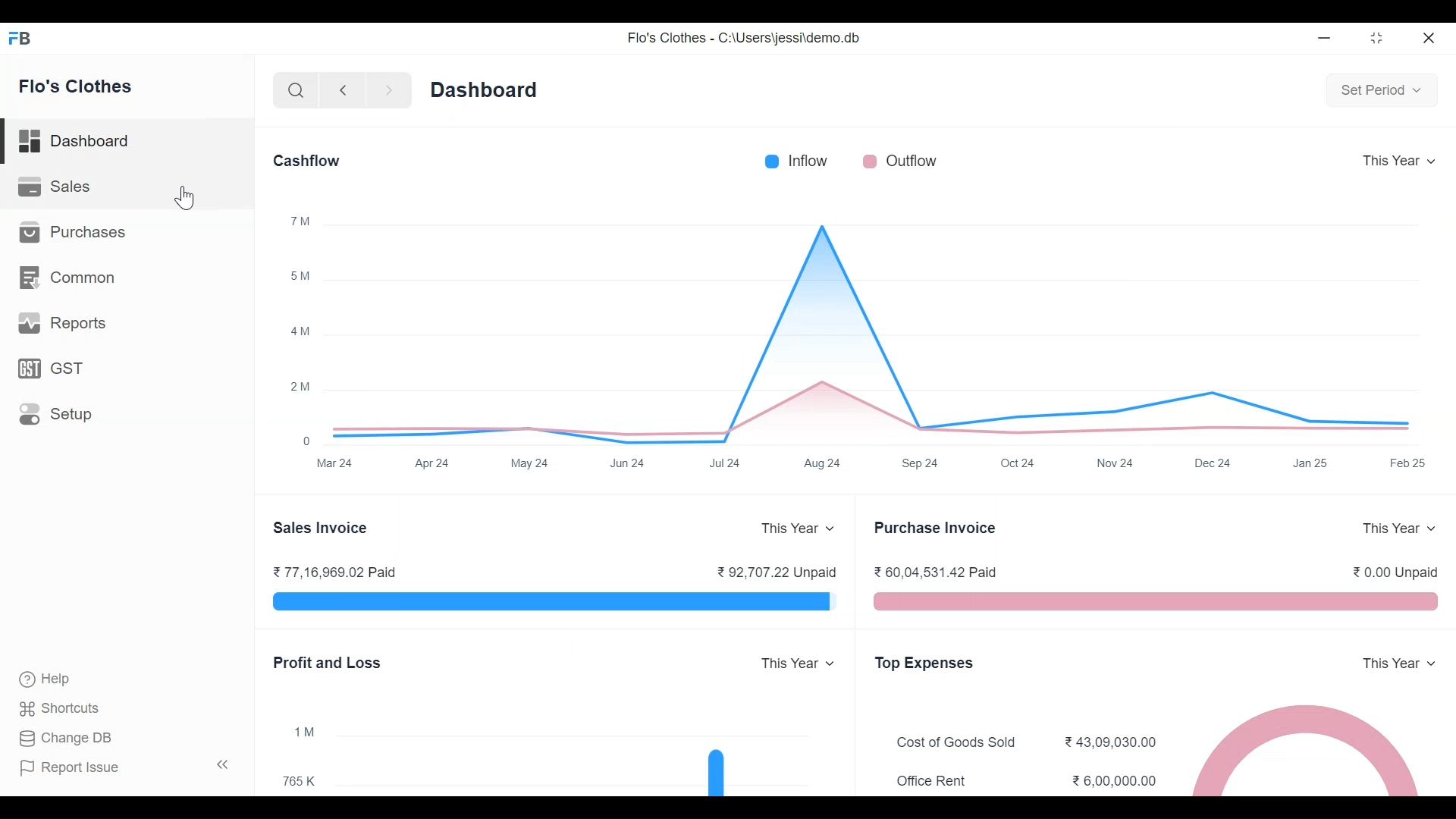 The width and height of the screenshot is (1456, 819). I want to click on Inflow color bar, so click(772, 162).